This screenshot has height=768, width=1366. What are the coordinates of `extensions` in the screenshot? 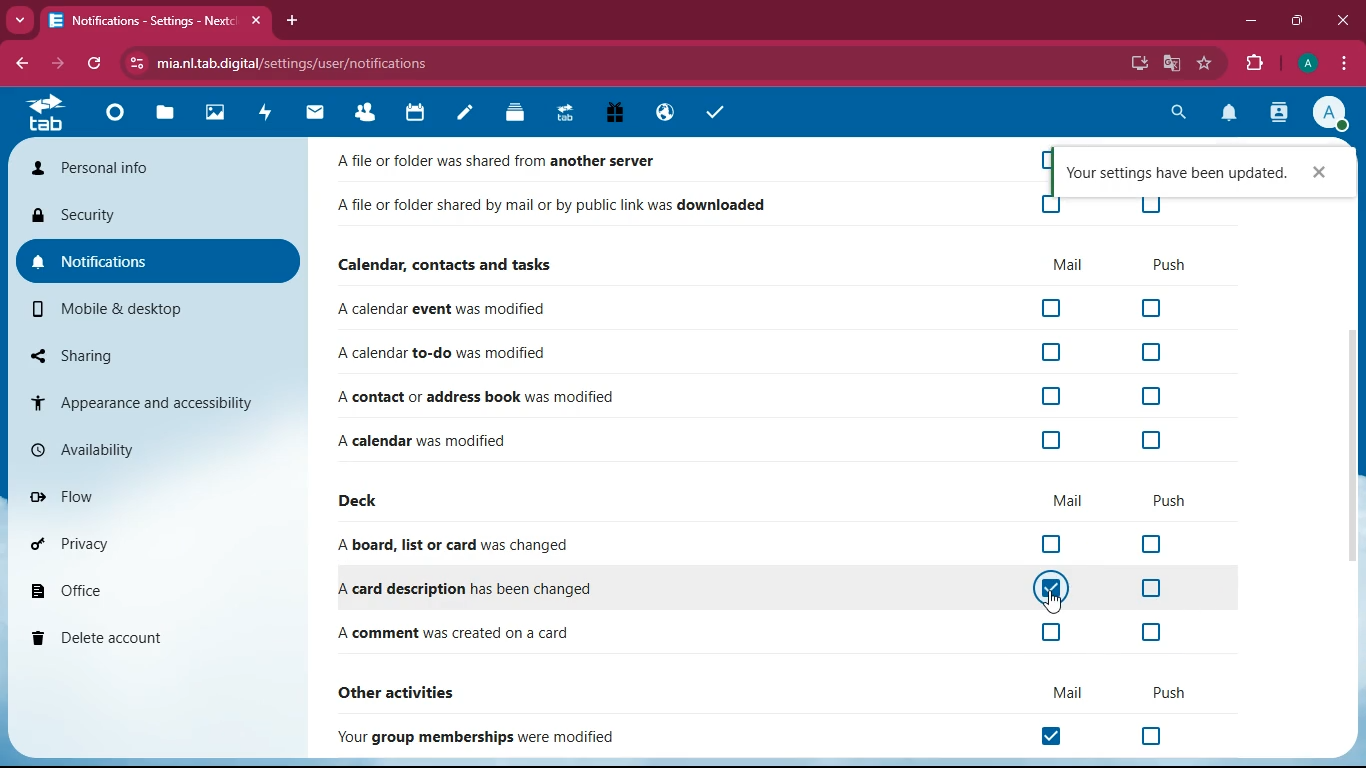 It's located at (1250, 61).